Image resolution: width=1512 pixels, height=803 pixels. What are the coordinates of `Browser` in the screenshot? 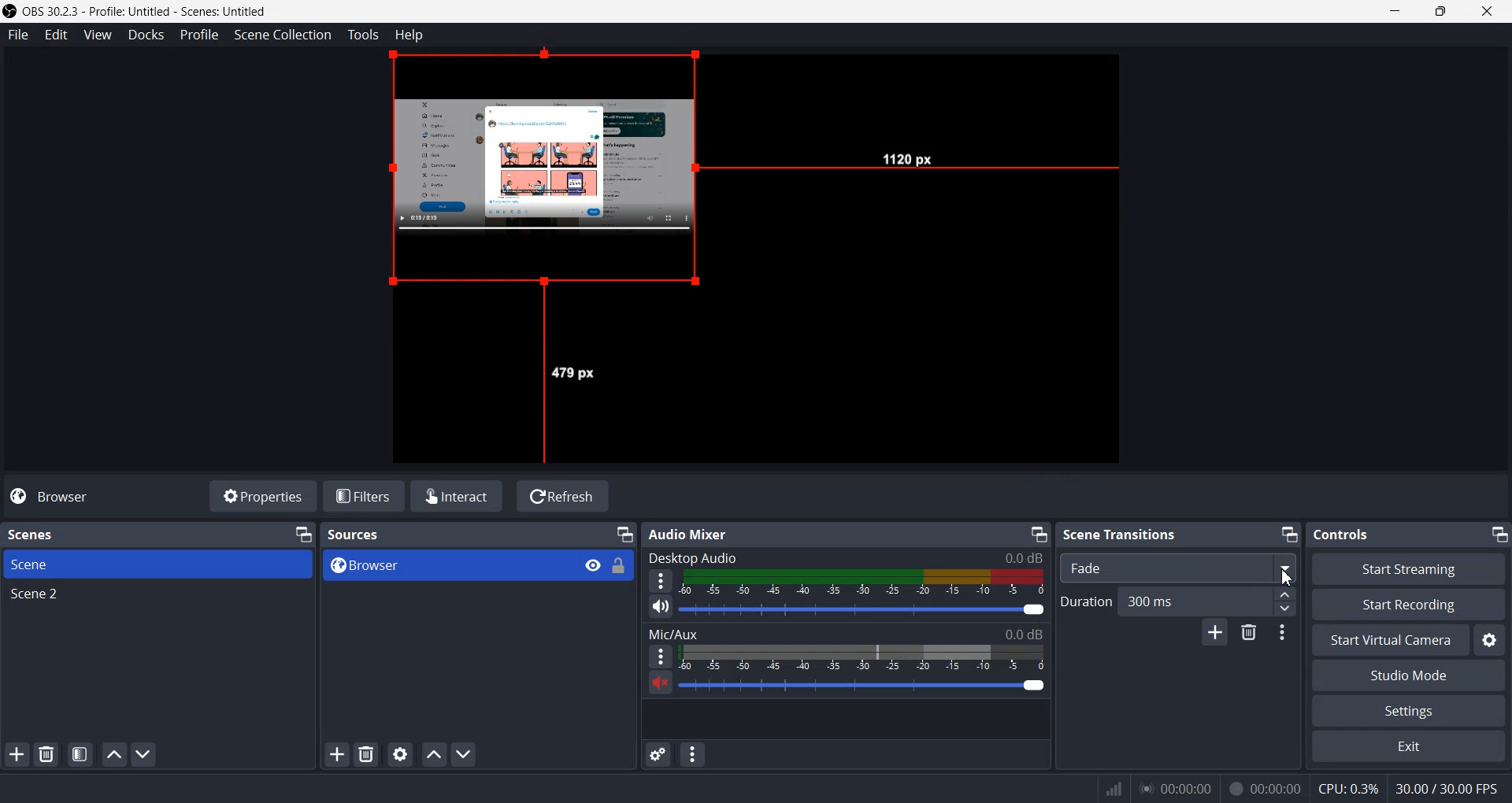 It's located at (63, 498).